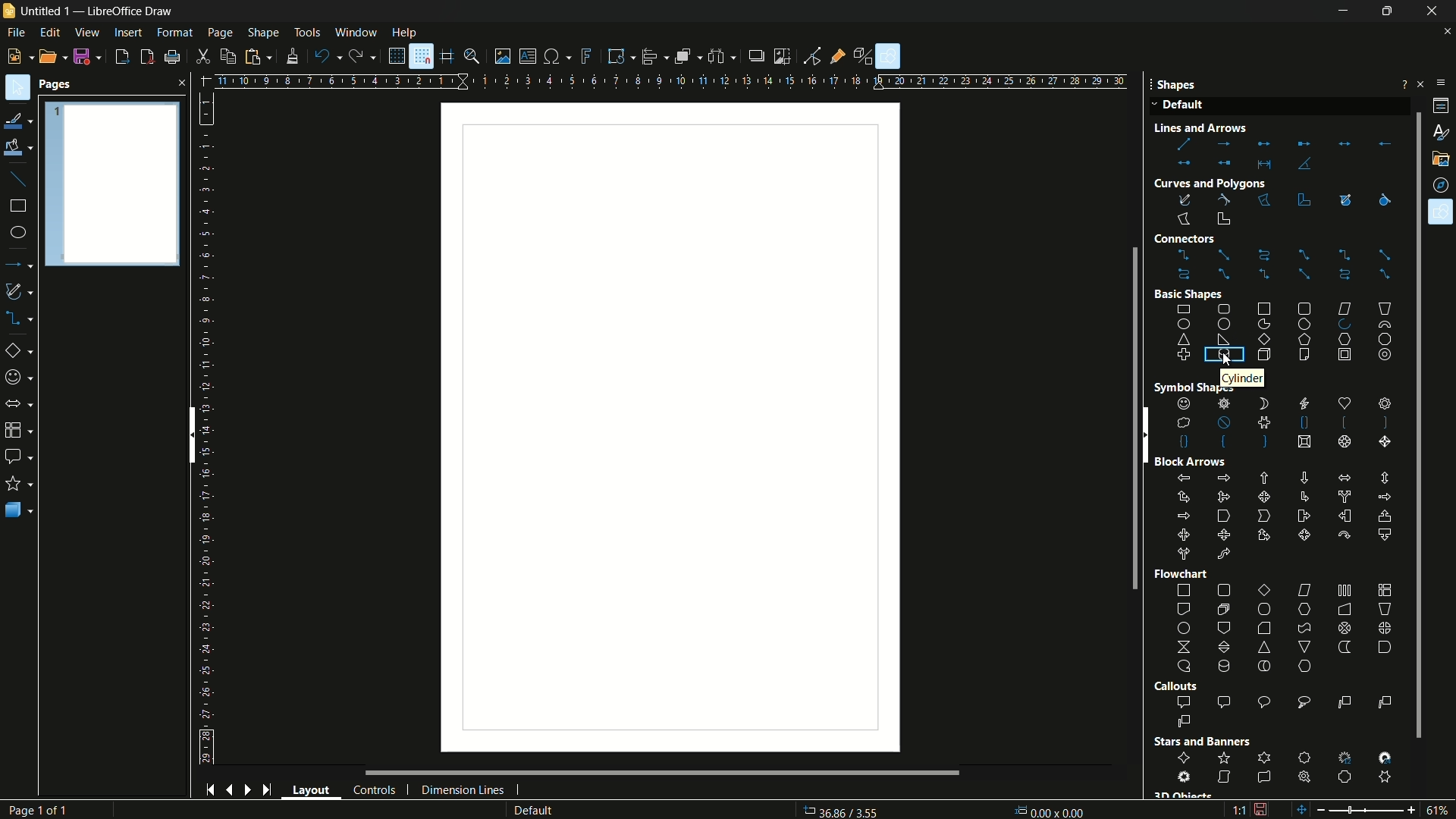 The image size is (1456, 819). What do you see at coordinates (23, 350) in the screenshot?
I see `basic shapes` at bounding box center [23, 350].